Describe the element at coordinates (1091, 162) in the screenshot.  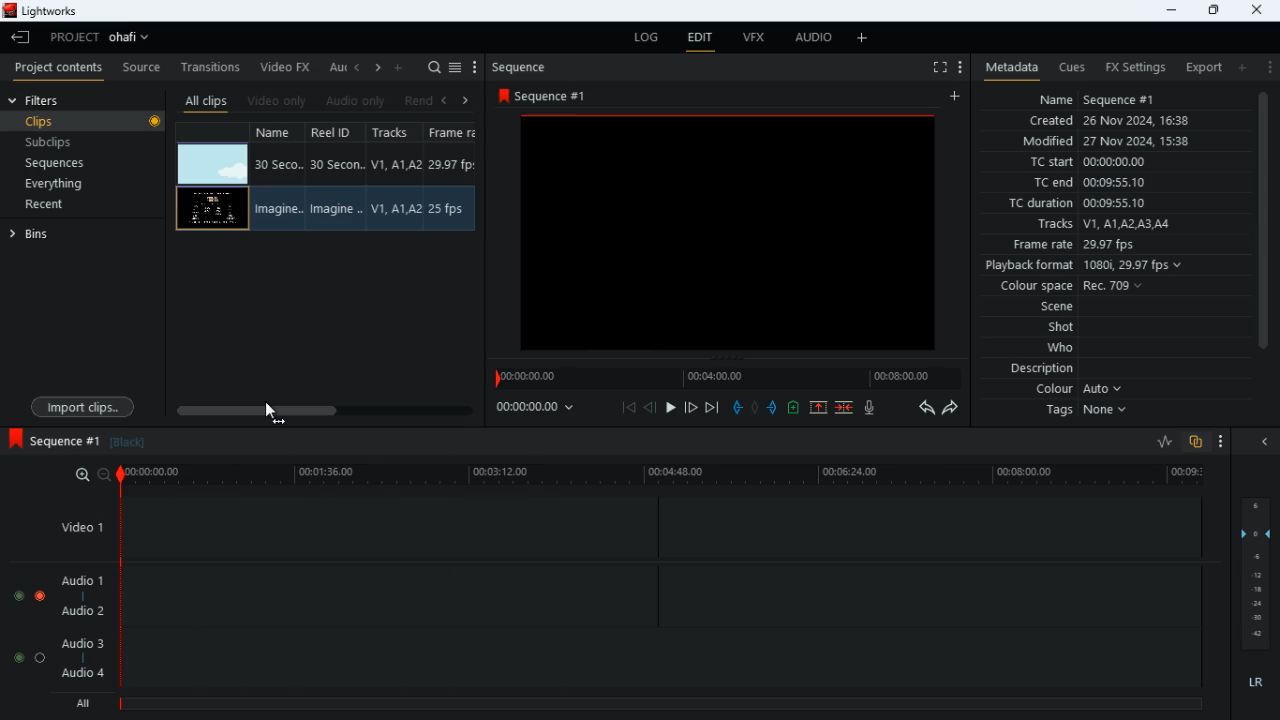
I see `tc start` at that location.